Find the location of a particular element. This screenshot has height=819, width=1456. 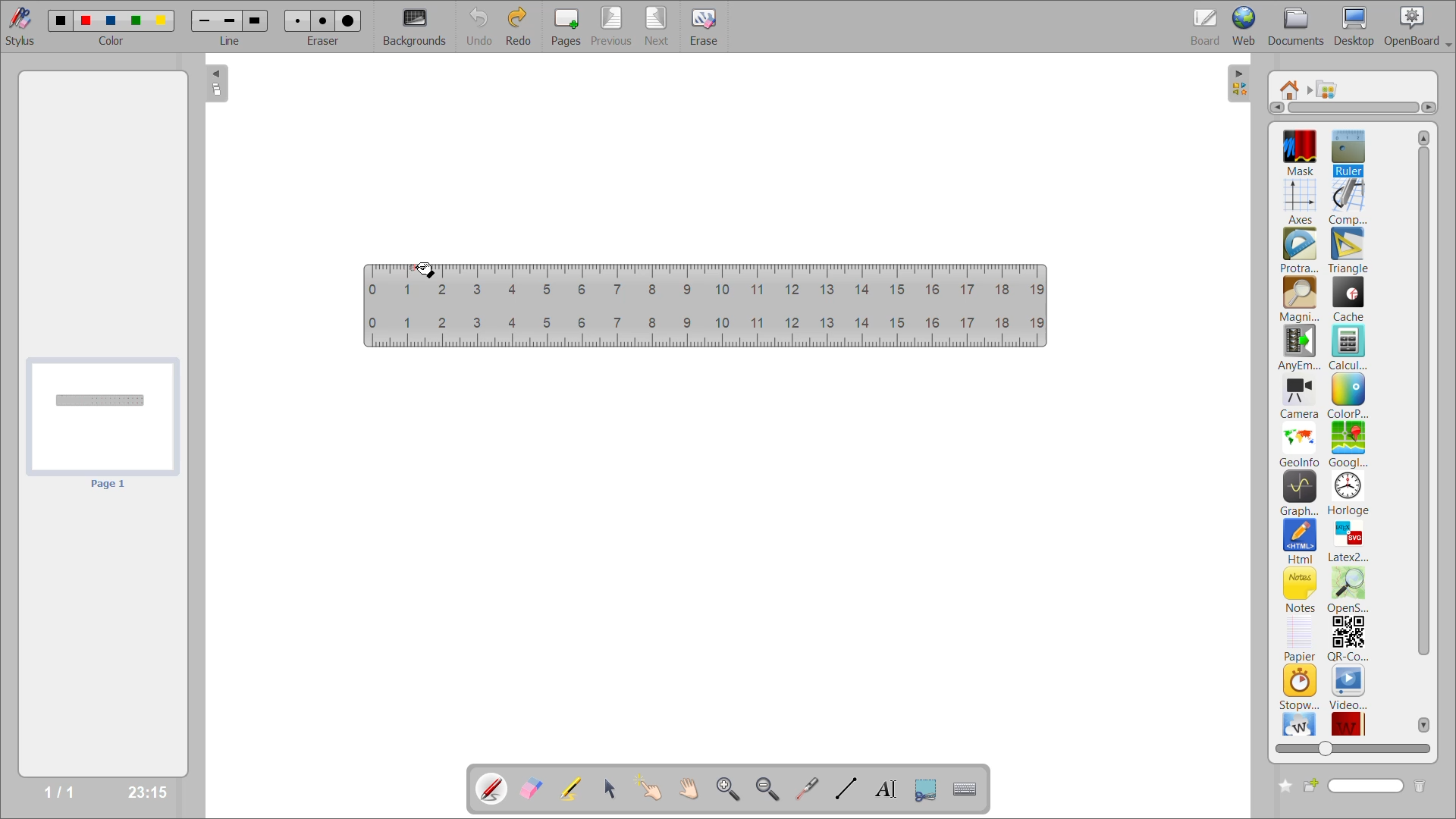

scroll page is located at coordinates (689, 787).